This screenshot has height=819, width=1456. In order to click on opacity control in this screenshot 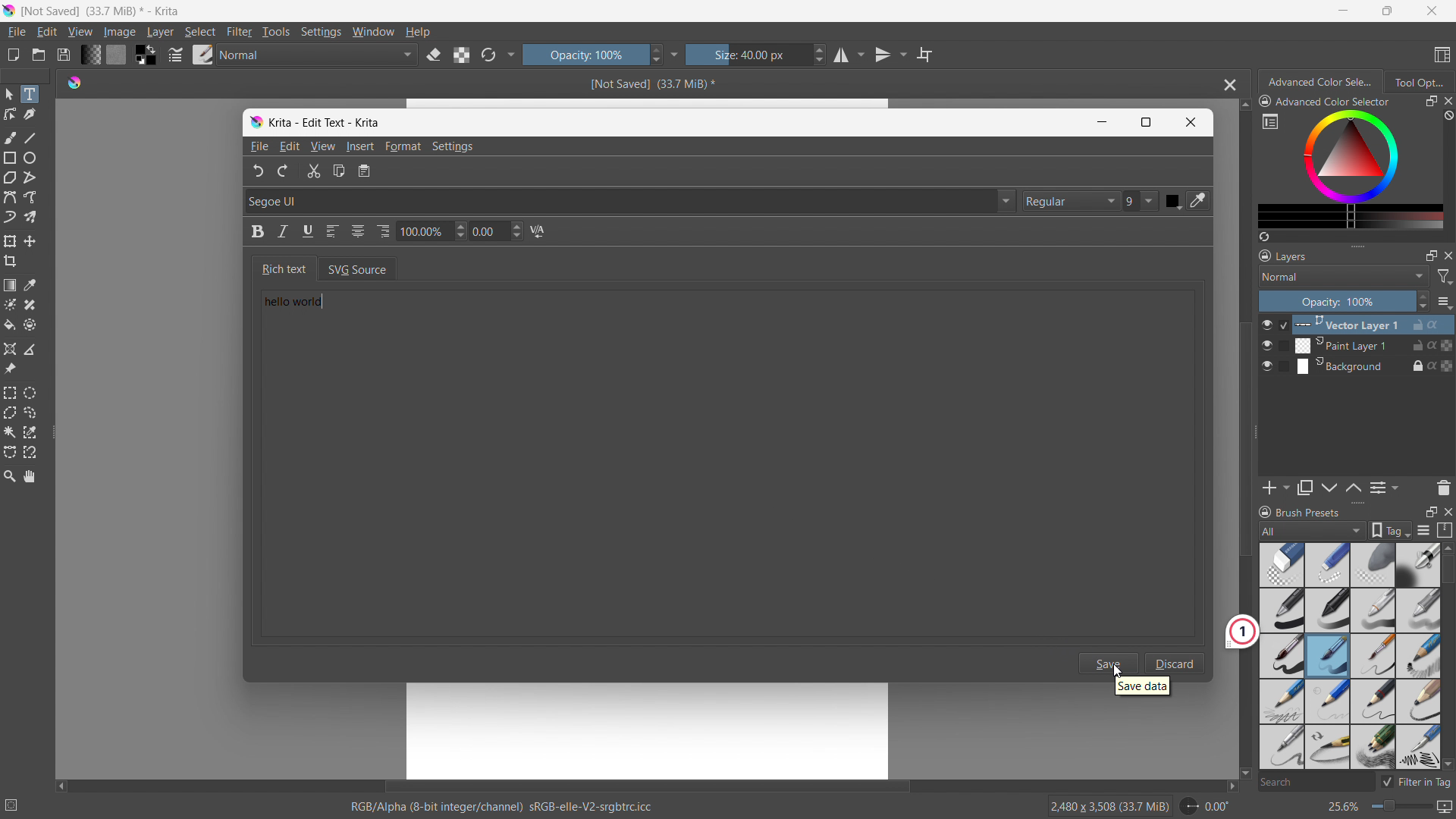, I will do `click(592, 54)`.